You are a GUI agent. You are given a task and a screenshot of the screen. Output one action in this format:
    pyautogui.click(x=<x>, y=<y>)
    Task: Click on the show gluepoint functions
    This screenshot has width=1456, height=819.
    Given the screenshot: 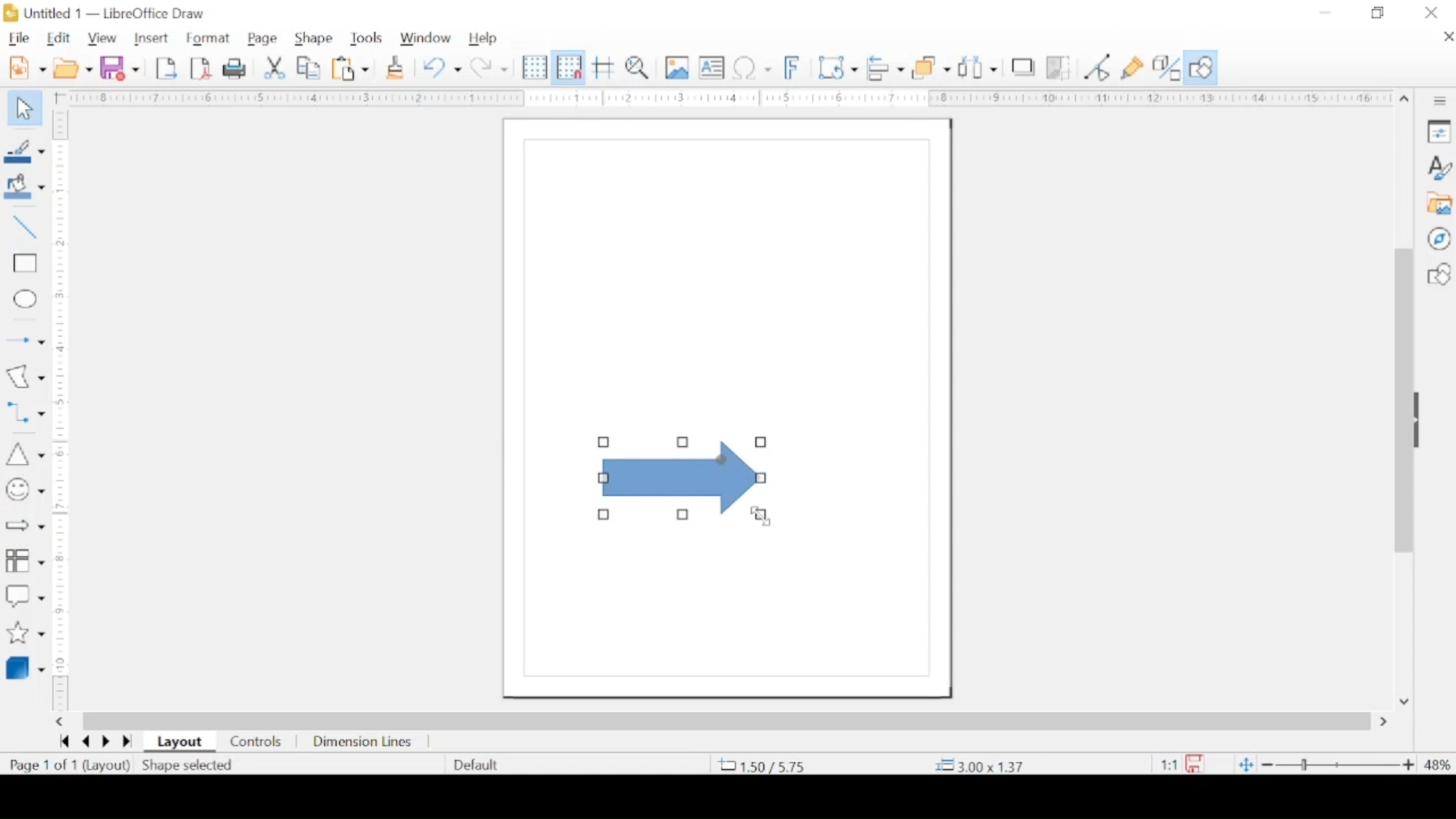 What is the action you would take?
    pyautogui.click(x=1133, y=67)
    